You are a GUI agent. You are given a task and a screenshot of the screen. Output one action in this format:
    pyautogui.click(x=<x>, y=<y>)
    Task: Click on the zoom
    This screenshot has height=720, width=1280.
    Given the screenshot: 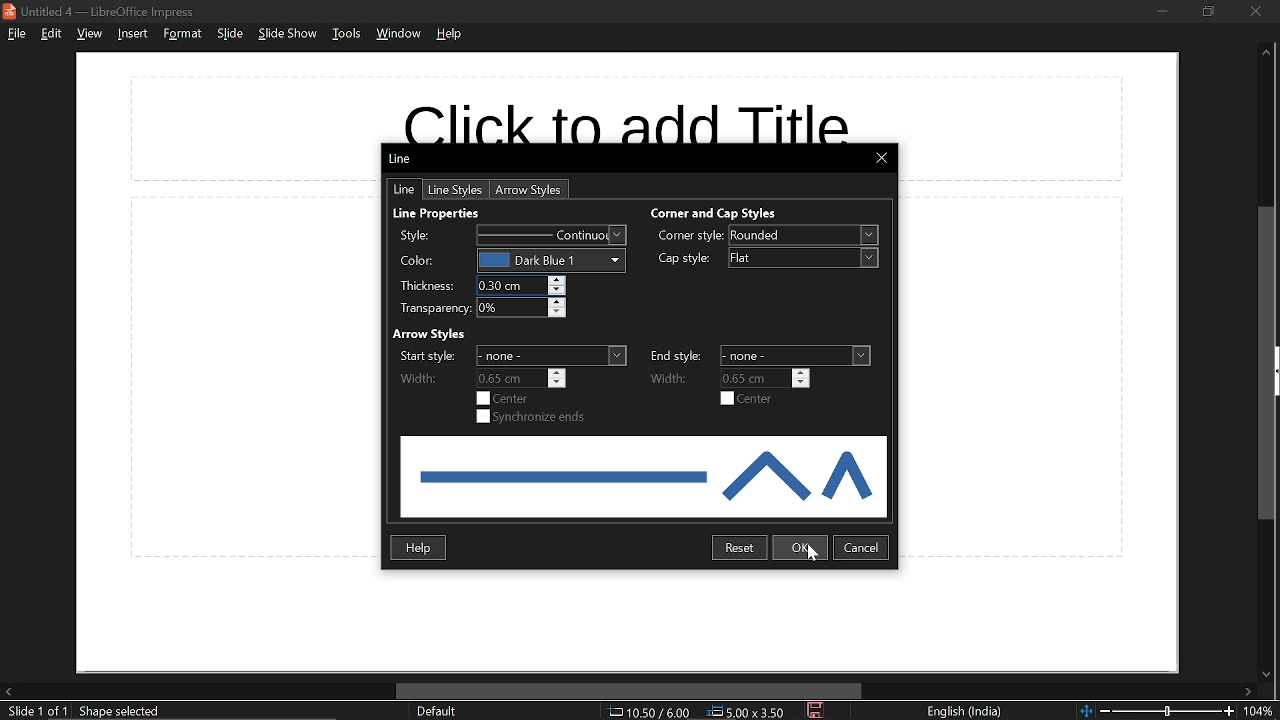 What is the action you would take?
    pyautogui.click(x=1262, y=712)
    